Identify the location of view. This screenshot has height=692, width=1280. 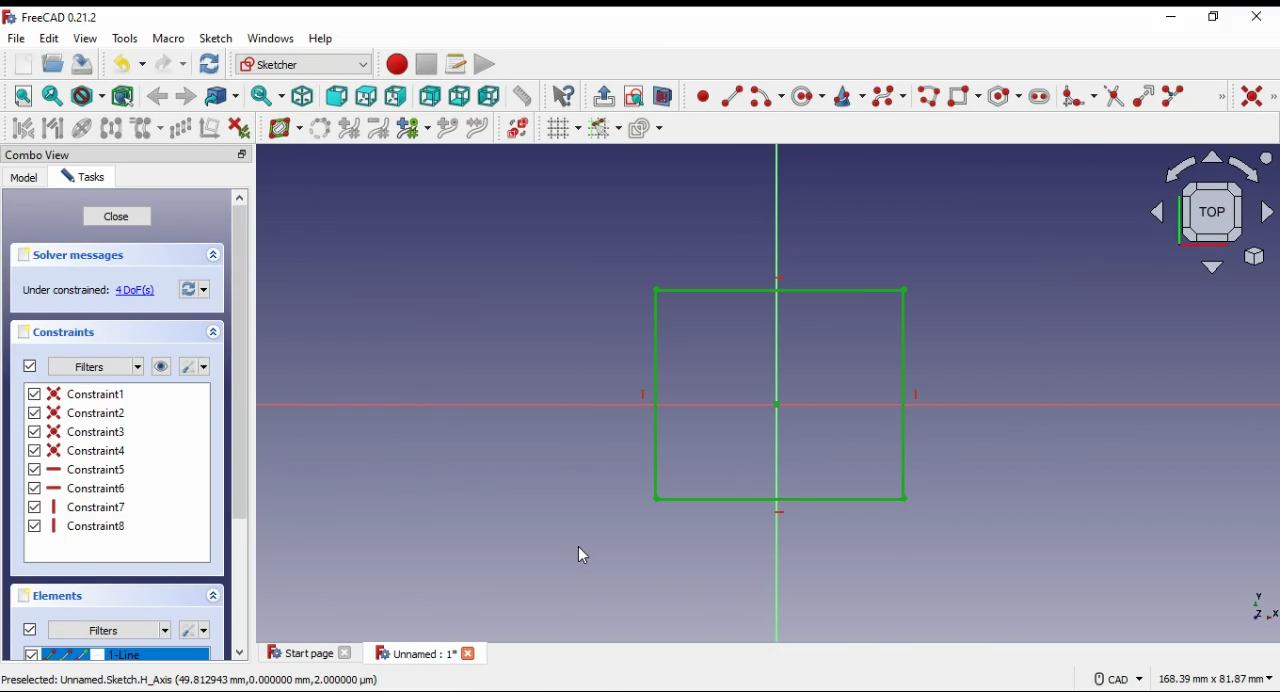
(87, 38).